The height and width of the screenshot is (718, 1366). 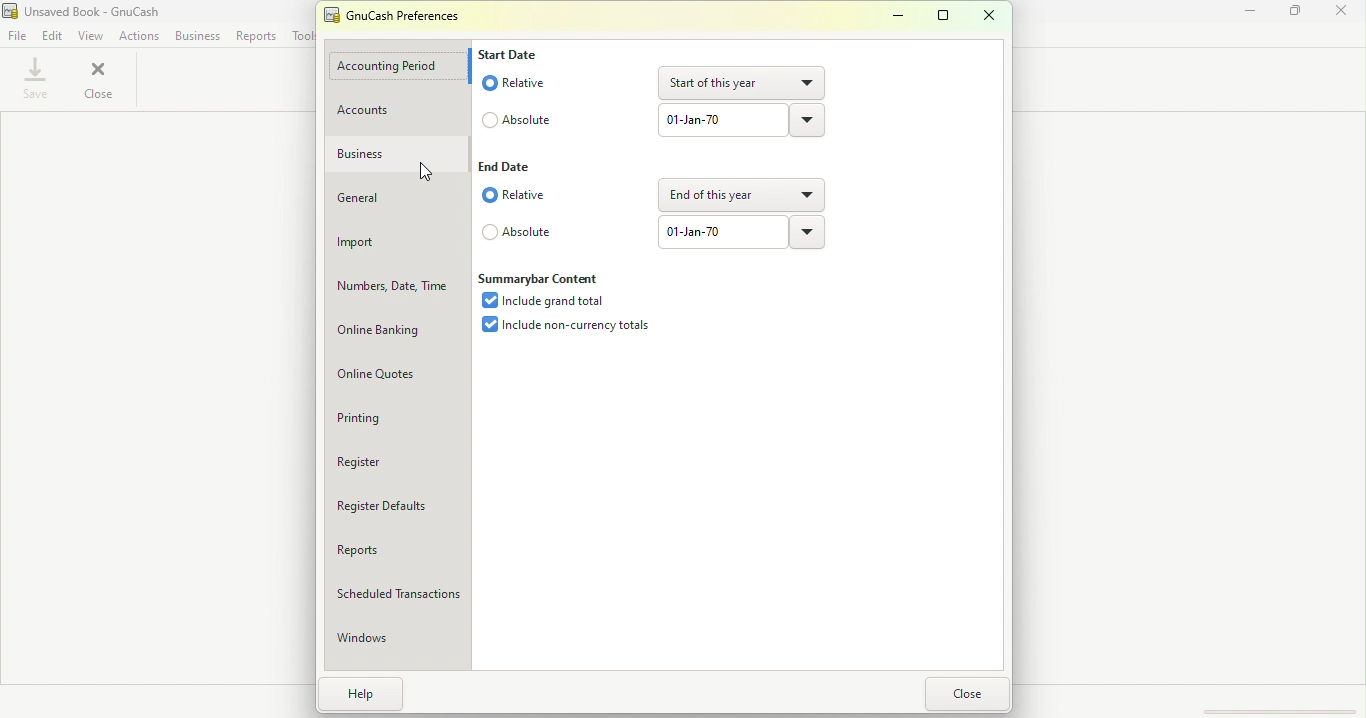 What do you see at coordinates (33, 80) in the screenshot?
I see `Save` at bounding box center [33, 80].